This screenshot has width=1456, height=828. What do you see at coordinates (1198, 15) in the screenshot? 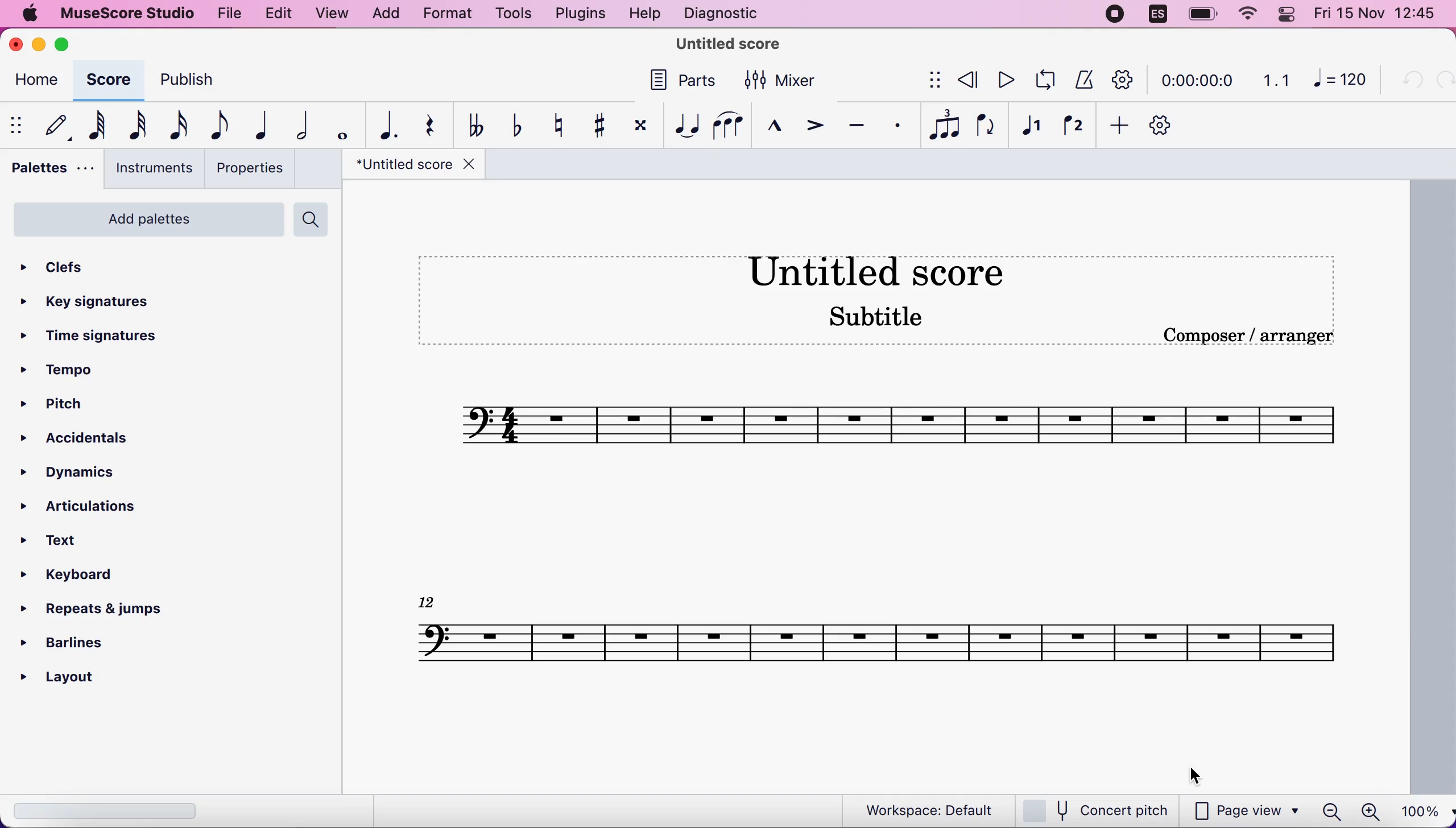
I see `battery` at bounding box center [1198, 15].